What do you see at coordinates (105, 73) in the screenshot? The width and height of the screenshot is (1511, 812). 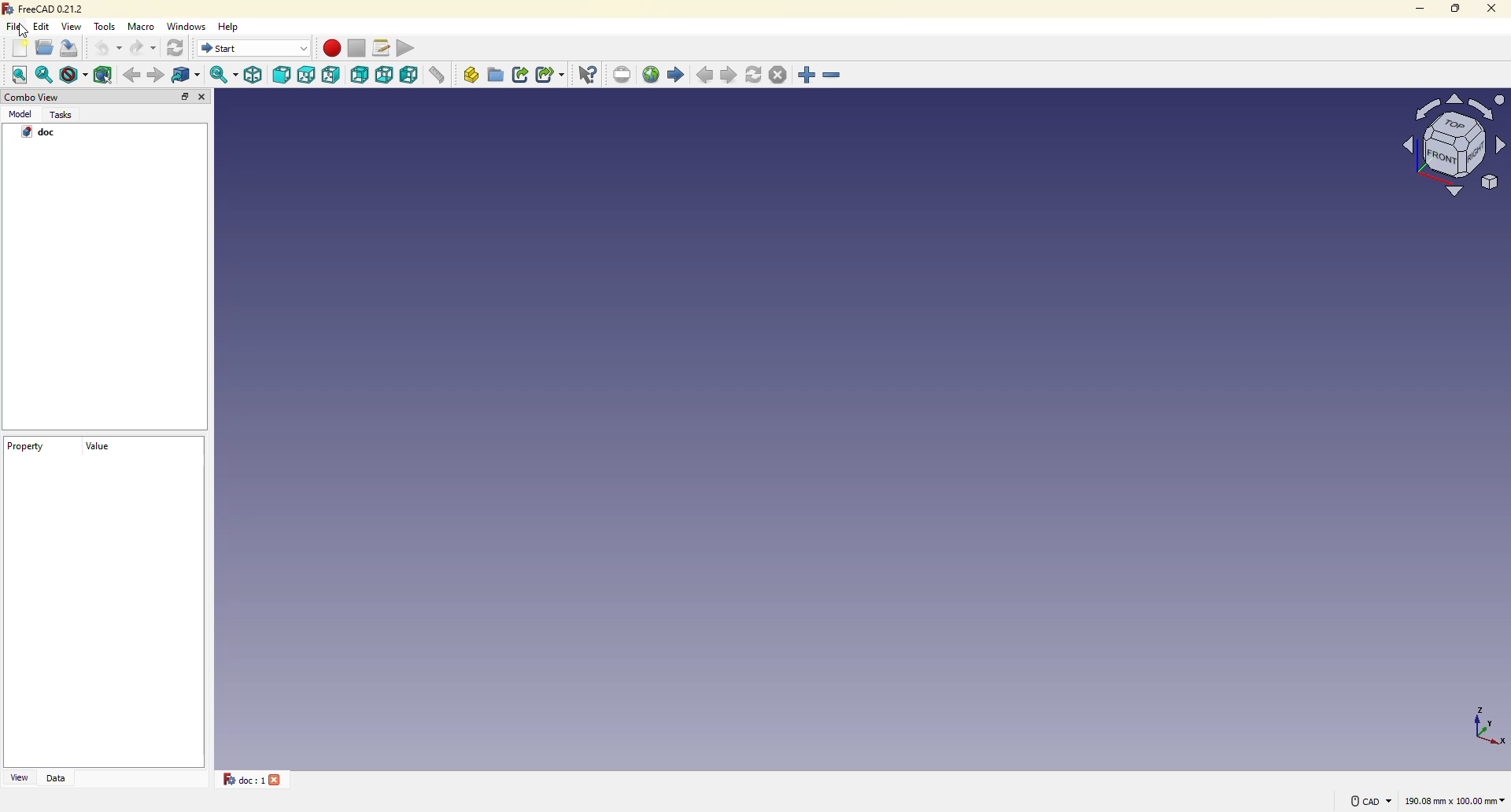 I see `bounding box` at bounding box center [105, 73].